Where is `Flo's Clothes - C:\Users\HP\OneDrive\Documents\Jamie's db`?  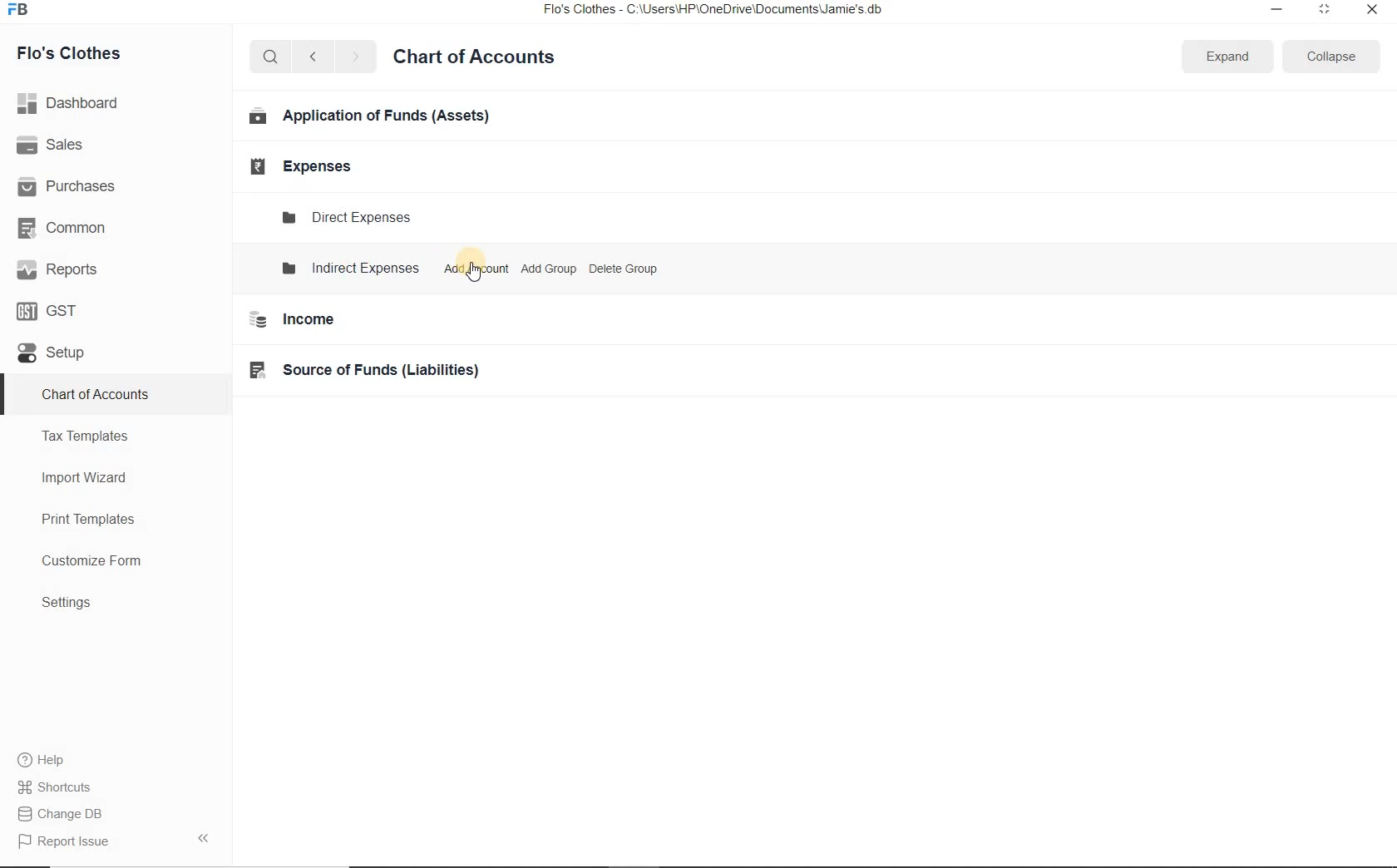 Flo's Clothes - C:\Users\HP\OneDrive\Documents\Jamie's db is located at coordinates (723, 11).